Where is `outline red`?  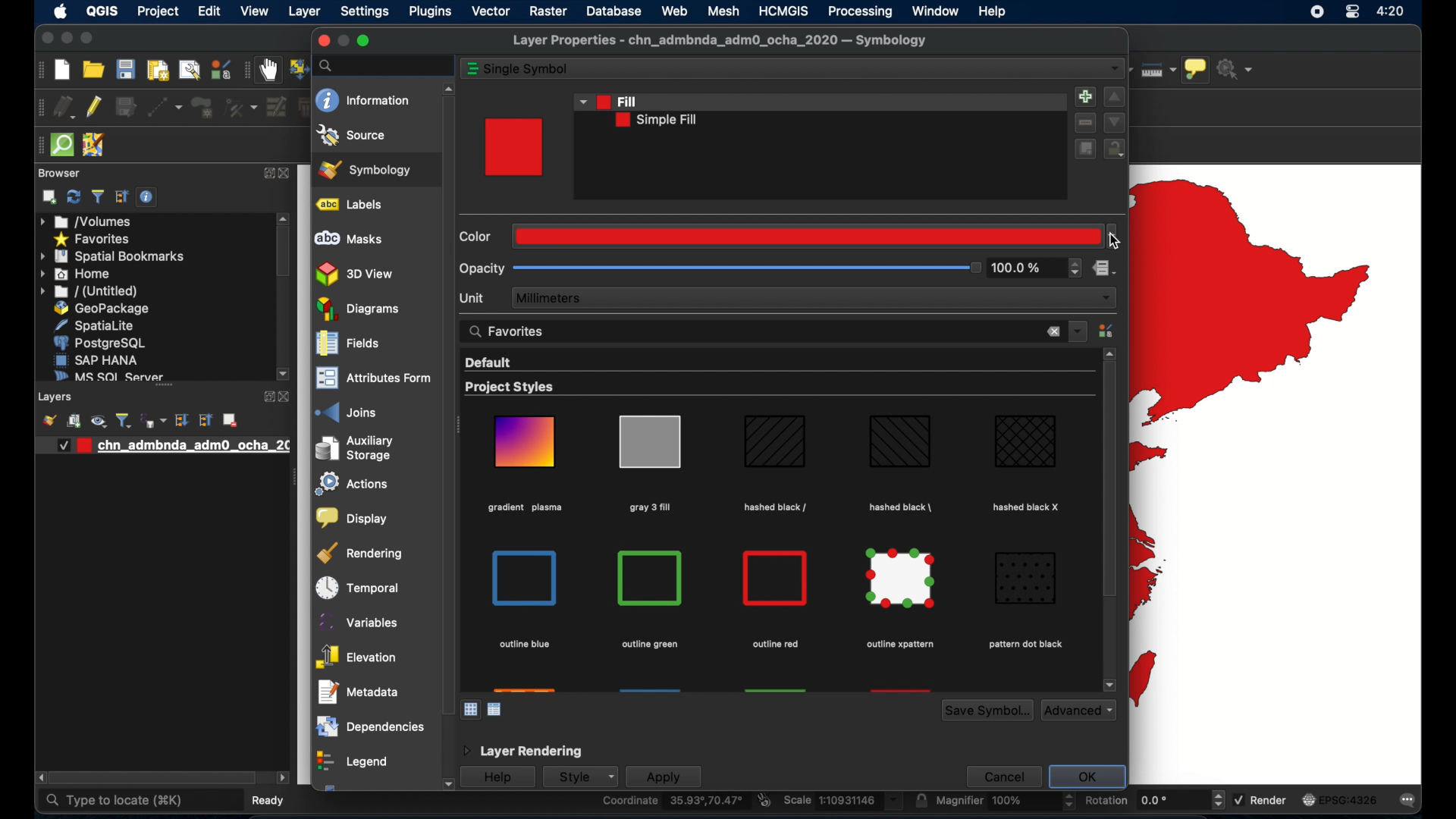 outline red is located at coordinates (775, 645).